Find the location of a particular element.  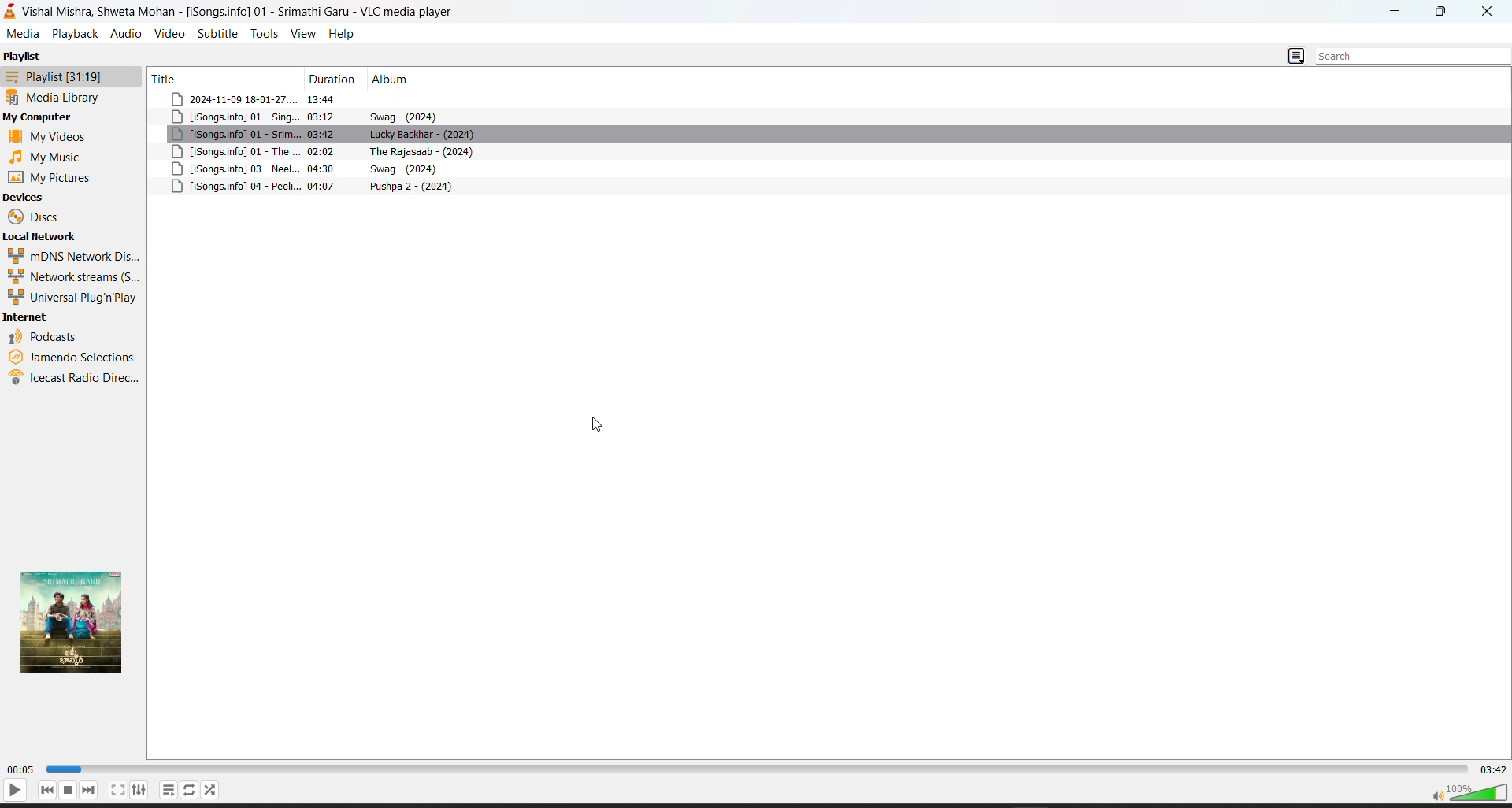

discs is located at coordinates (38, 217).